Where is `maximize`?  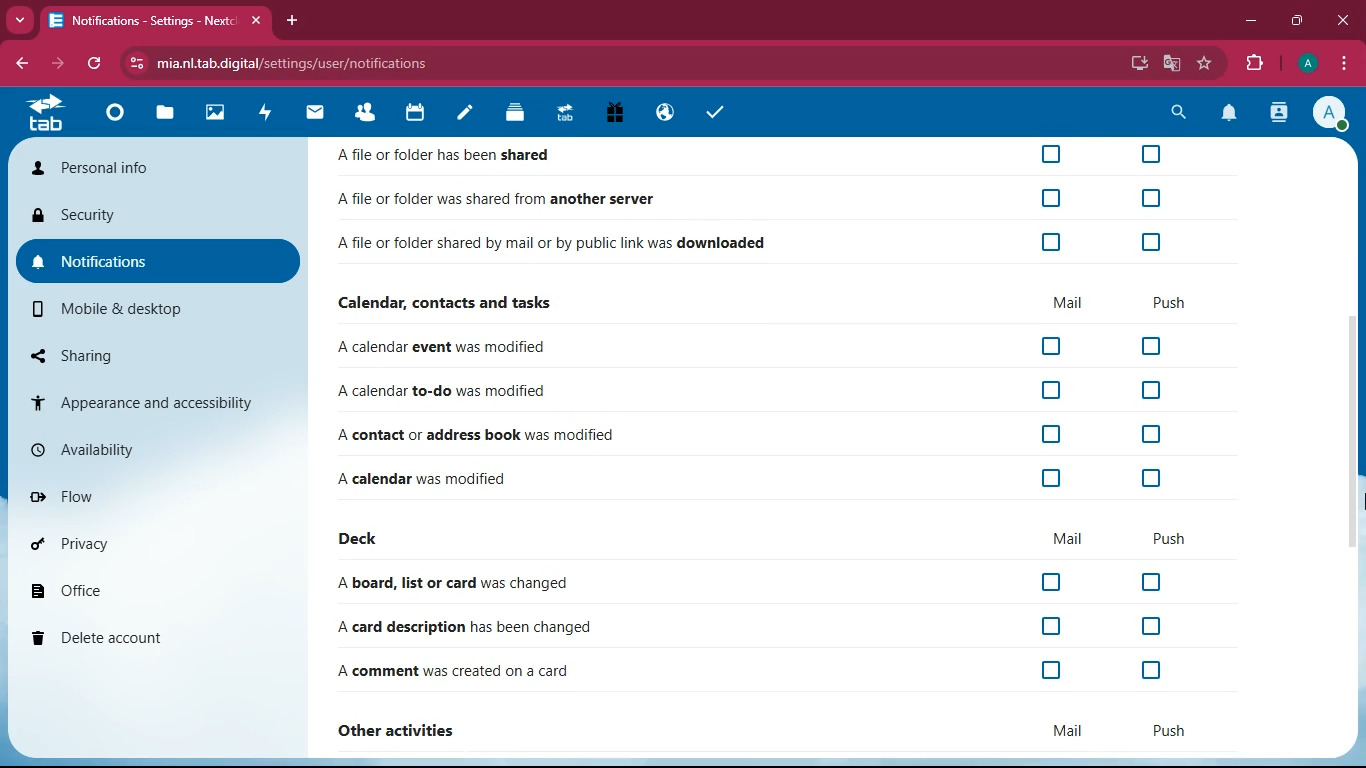 maximize is located at coordinates (1297, 21).